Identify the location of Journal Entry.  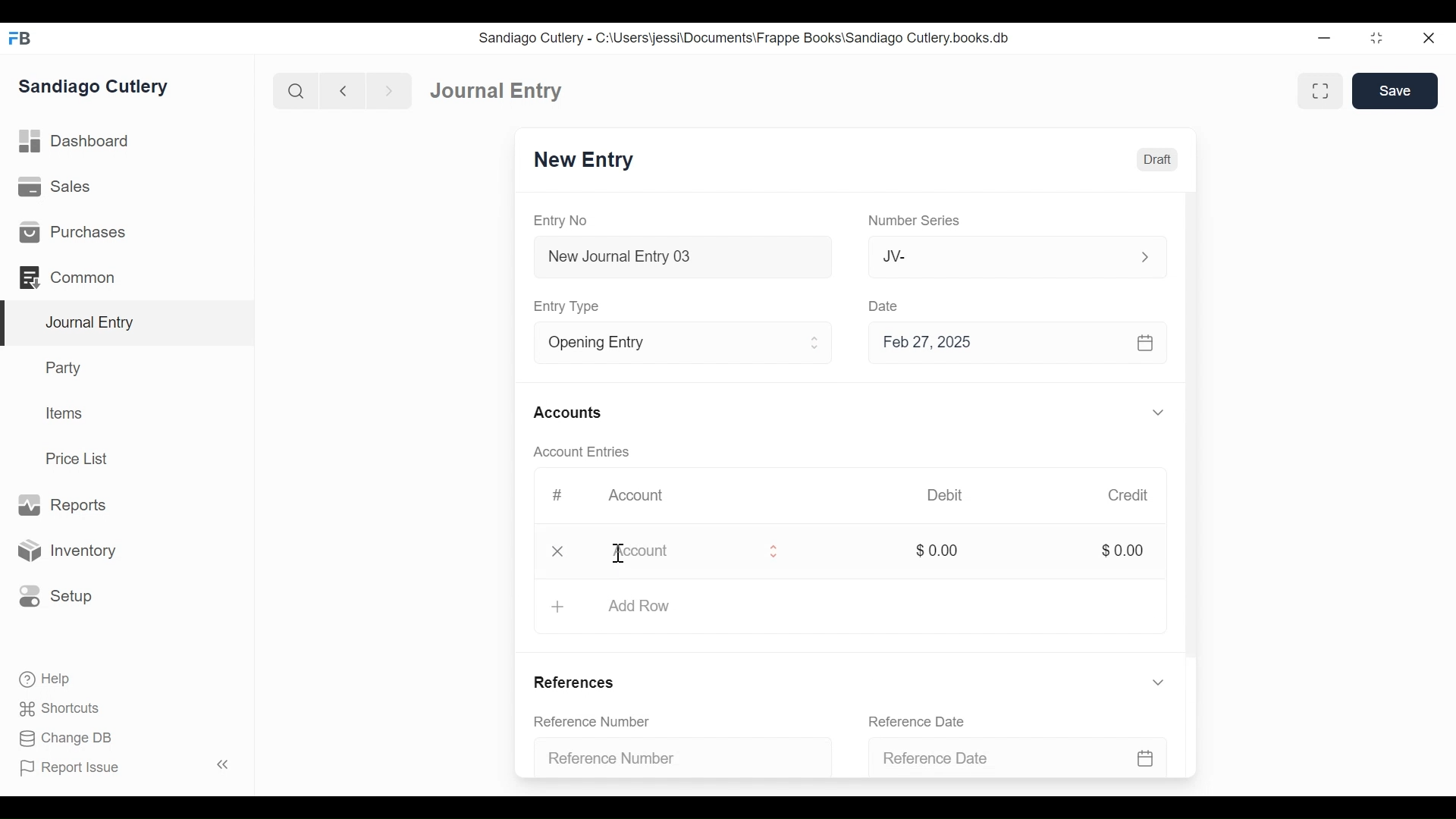
(124, 324).